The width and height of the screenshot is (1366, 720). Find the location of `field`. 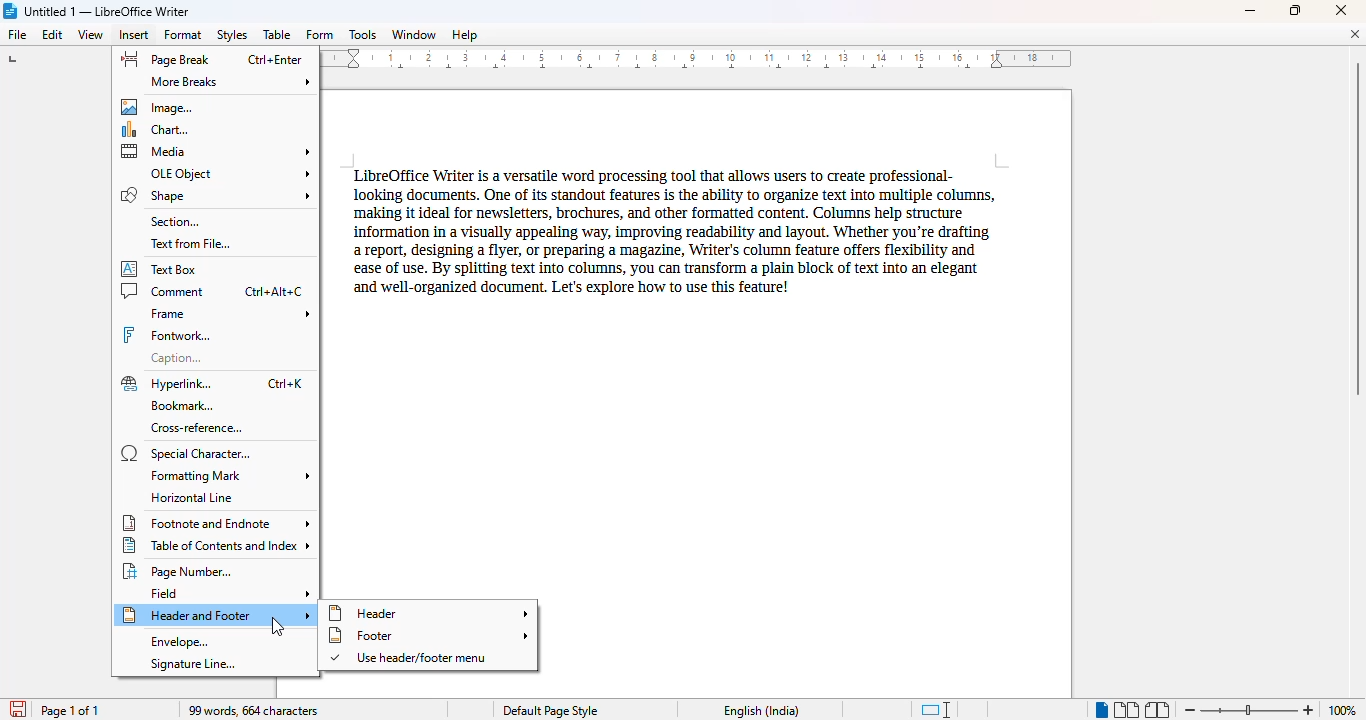

field is located at coordinates (231, 593).